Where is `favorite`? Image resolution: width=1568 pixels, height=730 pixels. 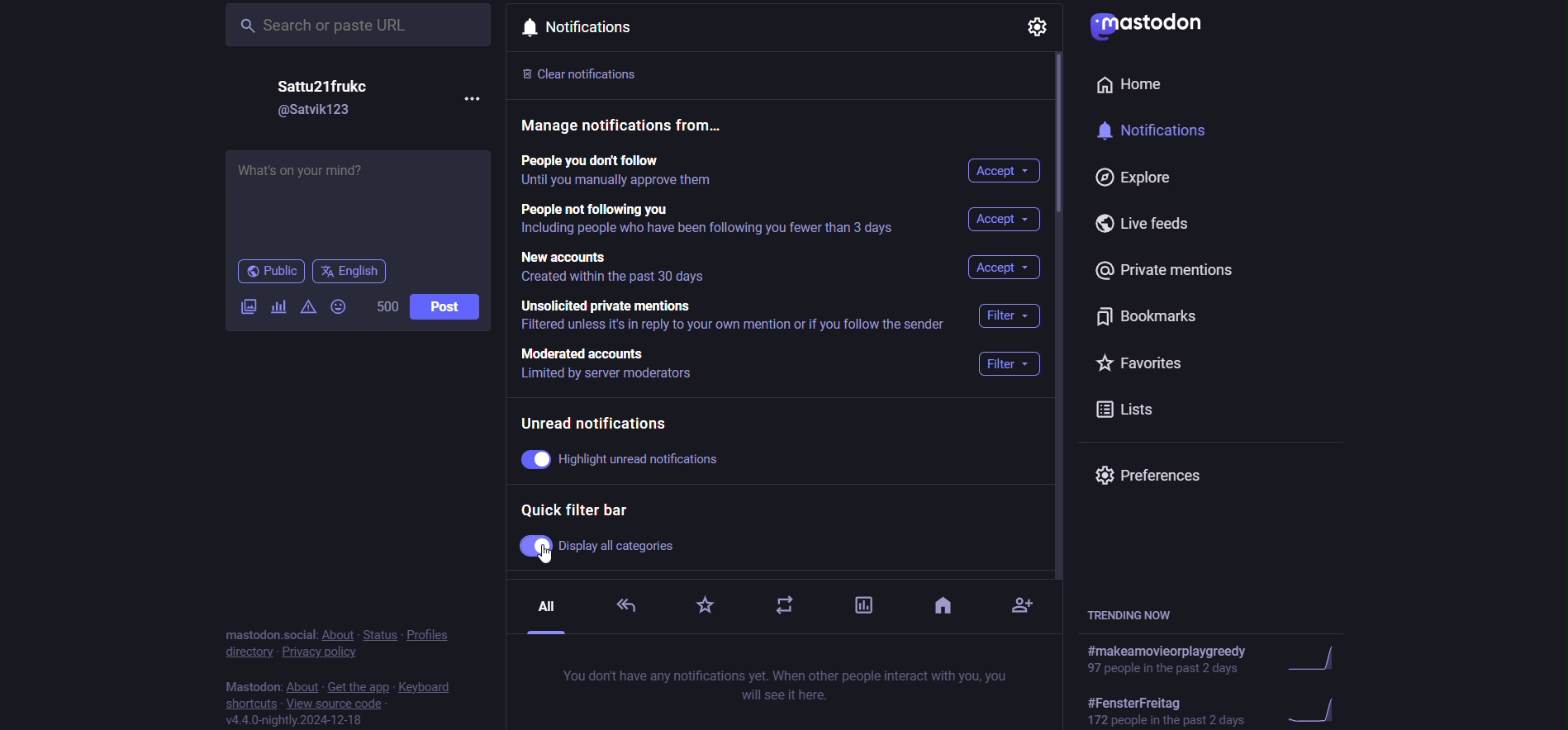
favorite is located at coordinates (705, 608).